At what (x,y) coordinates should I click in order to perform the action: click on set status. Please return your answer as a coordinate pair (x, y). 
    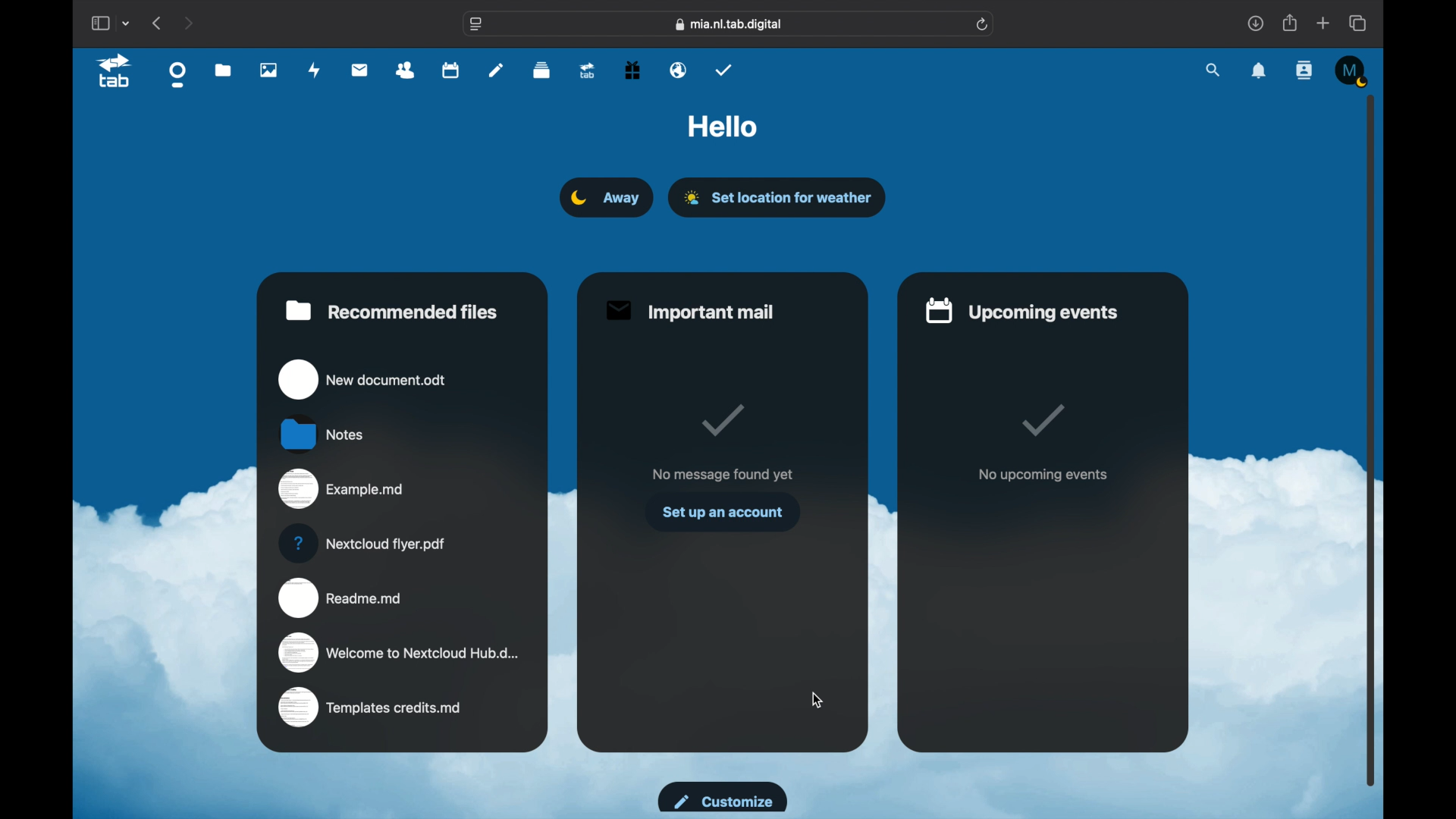
    Looking at the image, I should click on (604, 198).